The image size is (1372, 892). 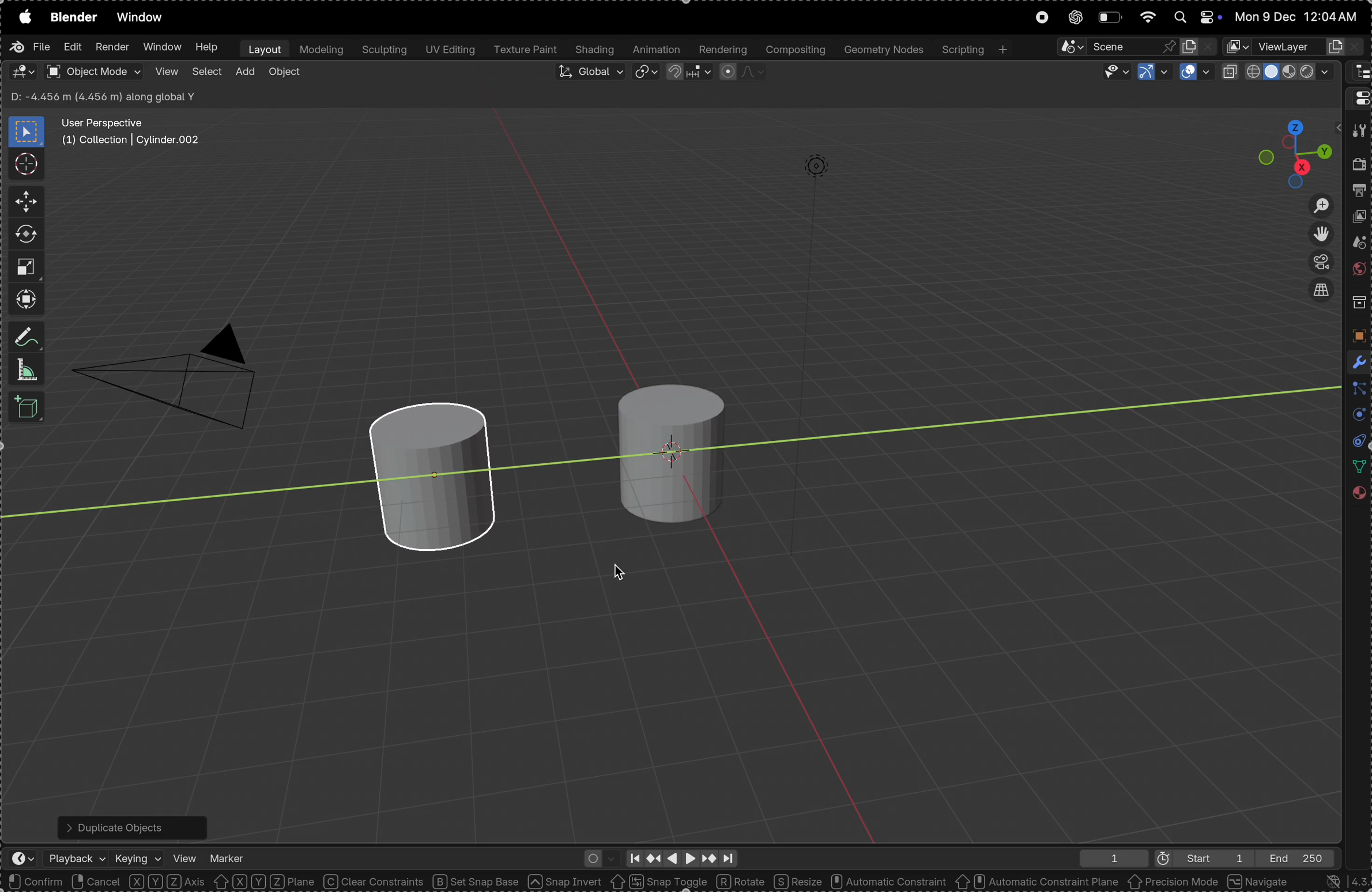 I want to click on view point, so click(x=1296, y=149).